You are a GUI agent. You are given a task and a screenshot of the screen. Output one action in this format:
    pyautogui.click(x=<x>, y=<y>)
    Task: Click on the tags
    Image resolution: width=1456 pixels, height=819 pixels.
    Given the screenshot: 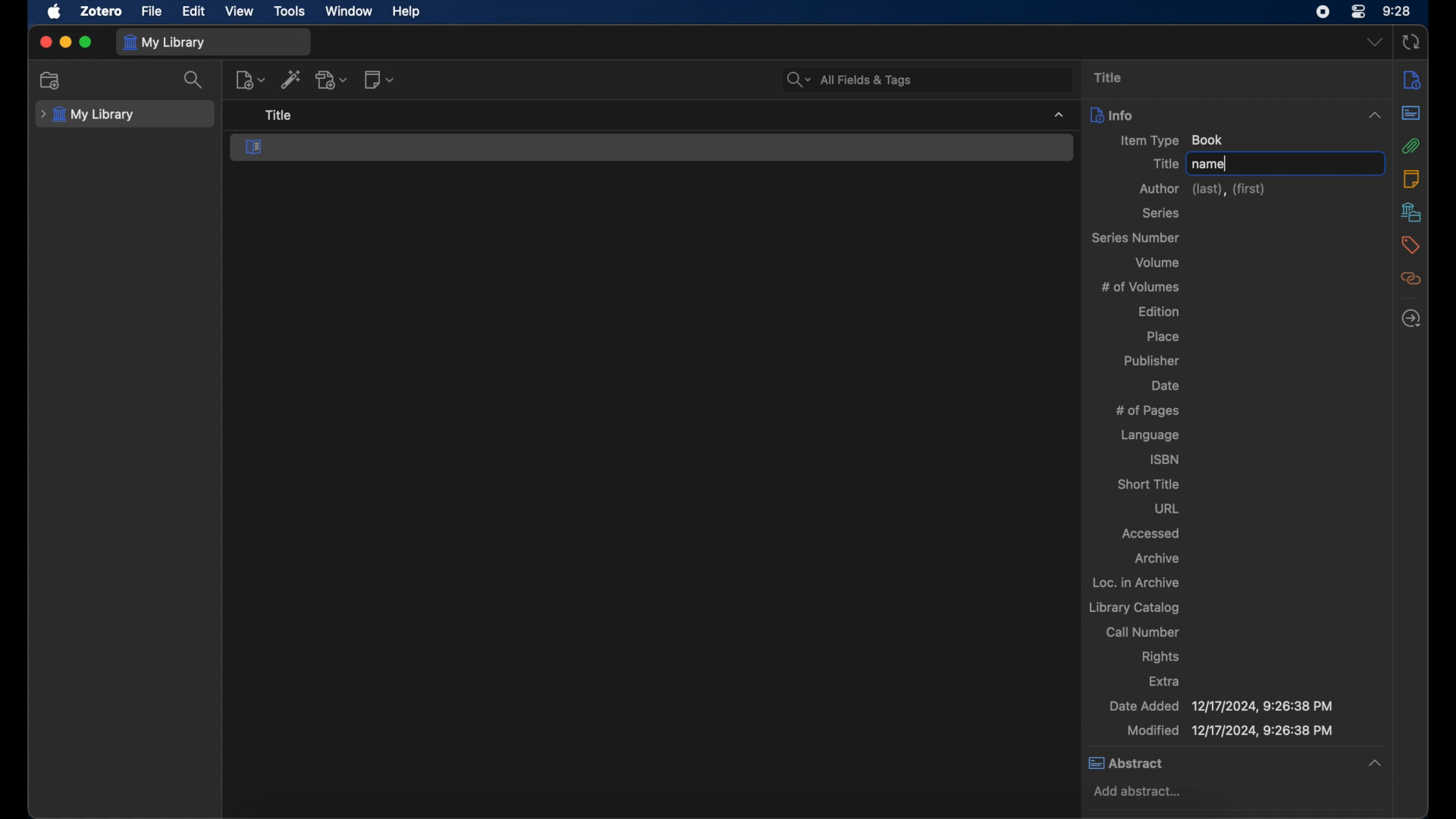 What is the action you would take?
    pyautogui.click(x=1410, y=245)
    